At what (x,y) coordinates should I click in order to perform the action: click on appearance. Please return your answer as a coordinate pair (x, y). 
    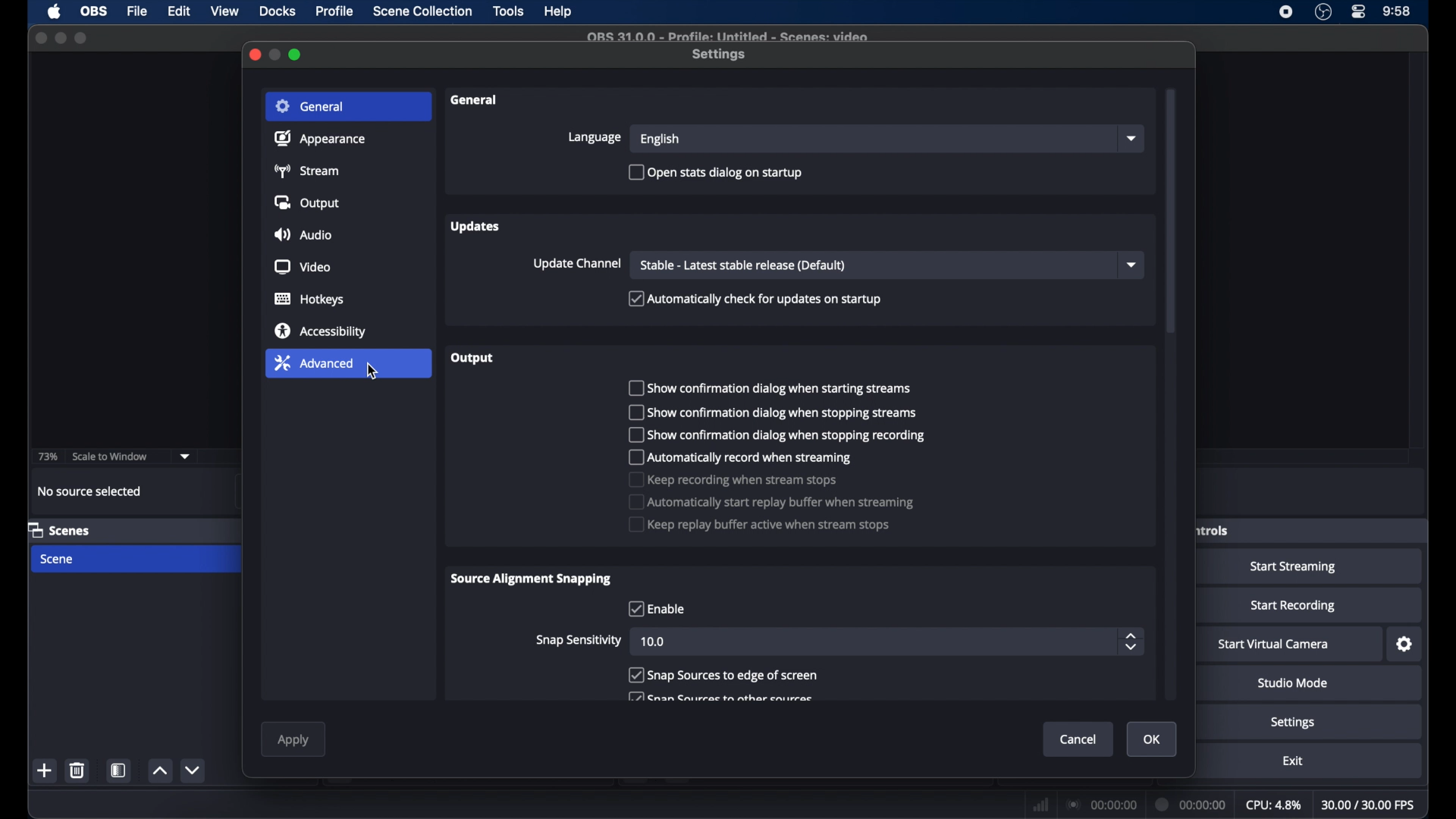
    Looking at the image, I should click on (319, 138).